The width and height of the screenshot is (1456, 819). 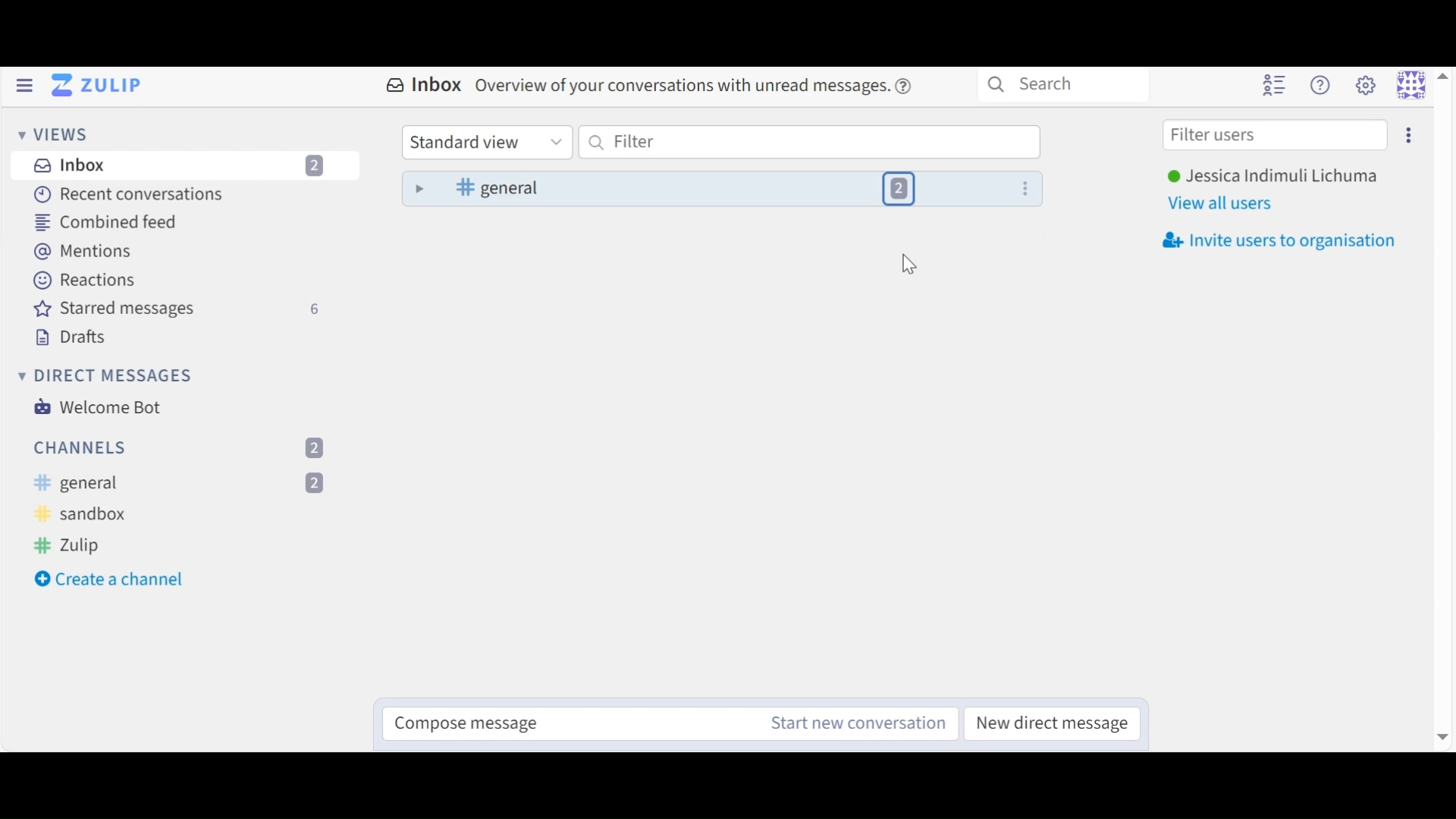 What do you see at coordinates (909, 268) in the screenshot?
I see `cursor` at bounding box center [909, 268].